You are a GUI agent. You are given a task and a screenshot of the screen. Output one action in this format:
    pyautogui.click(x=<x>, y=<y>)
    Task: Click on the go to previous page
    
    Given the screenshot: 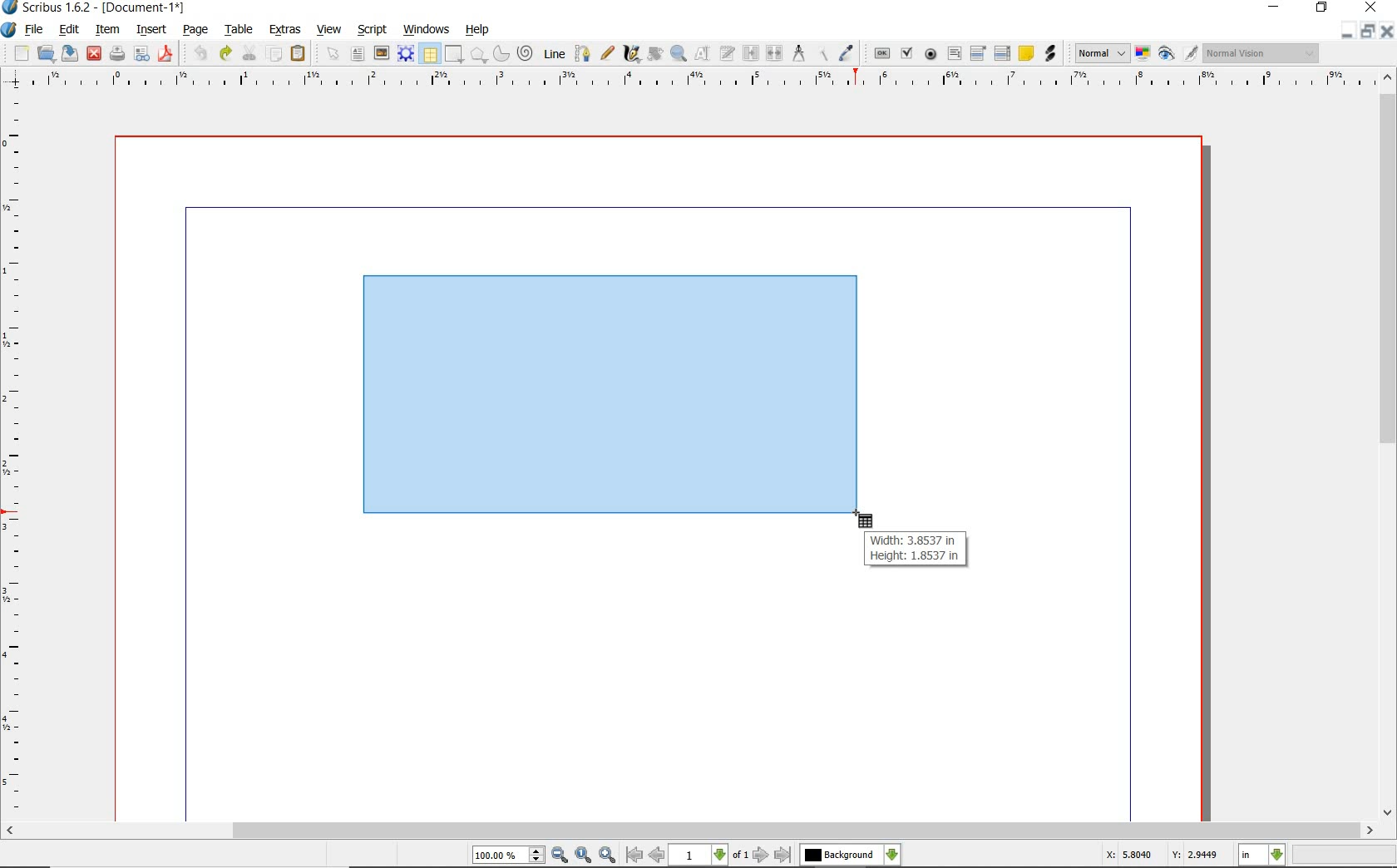 What is the action you would take?
    pyautogui.click(x=656, y=856)
    